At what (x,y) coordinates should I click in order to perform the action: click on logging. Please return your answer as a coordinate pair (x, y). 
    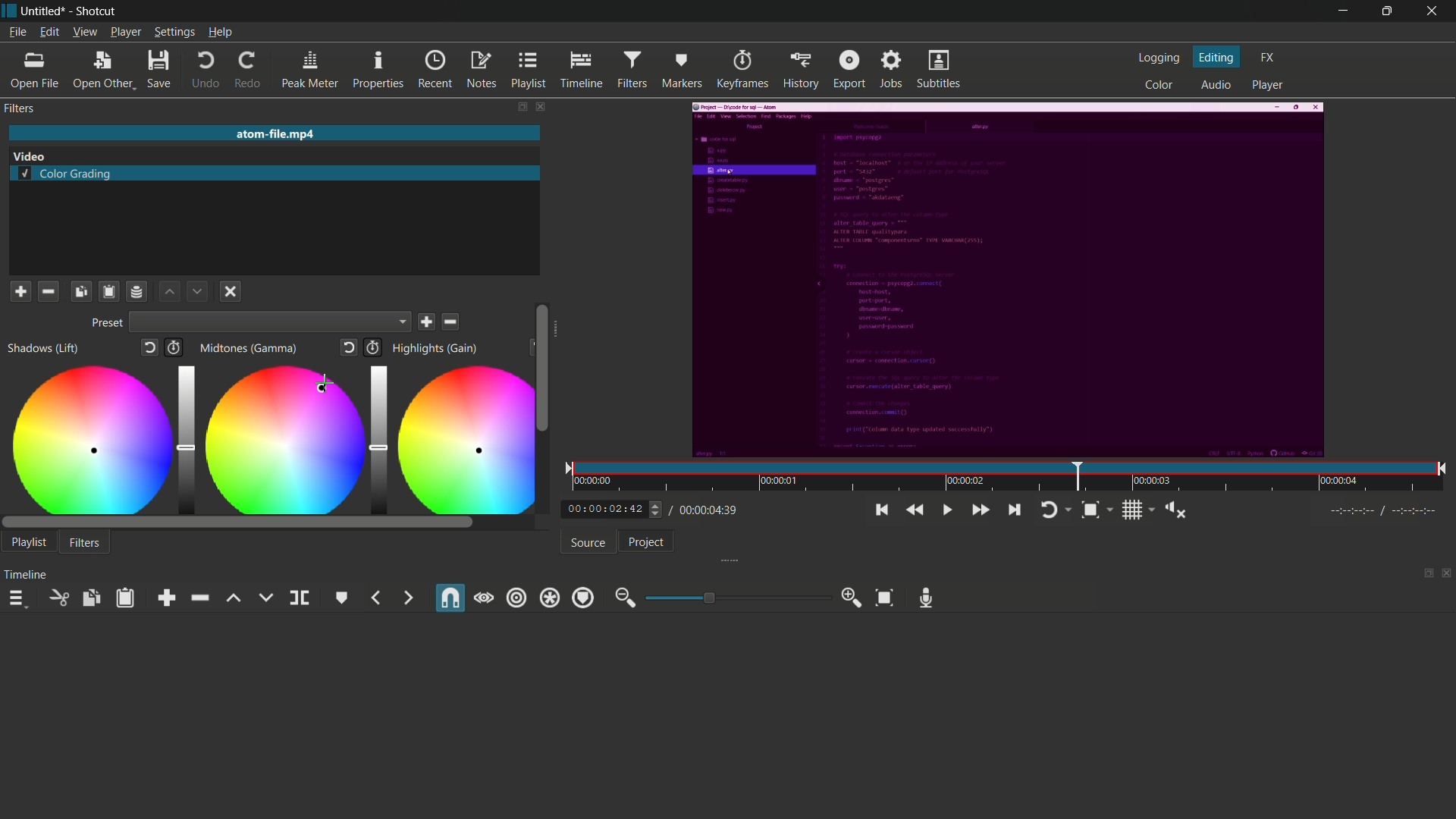
    Looking at the image, I should click on (1159, 60).